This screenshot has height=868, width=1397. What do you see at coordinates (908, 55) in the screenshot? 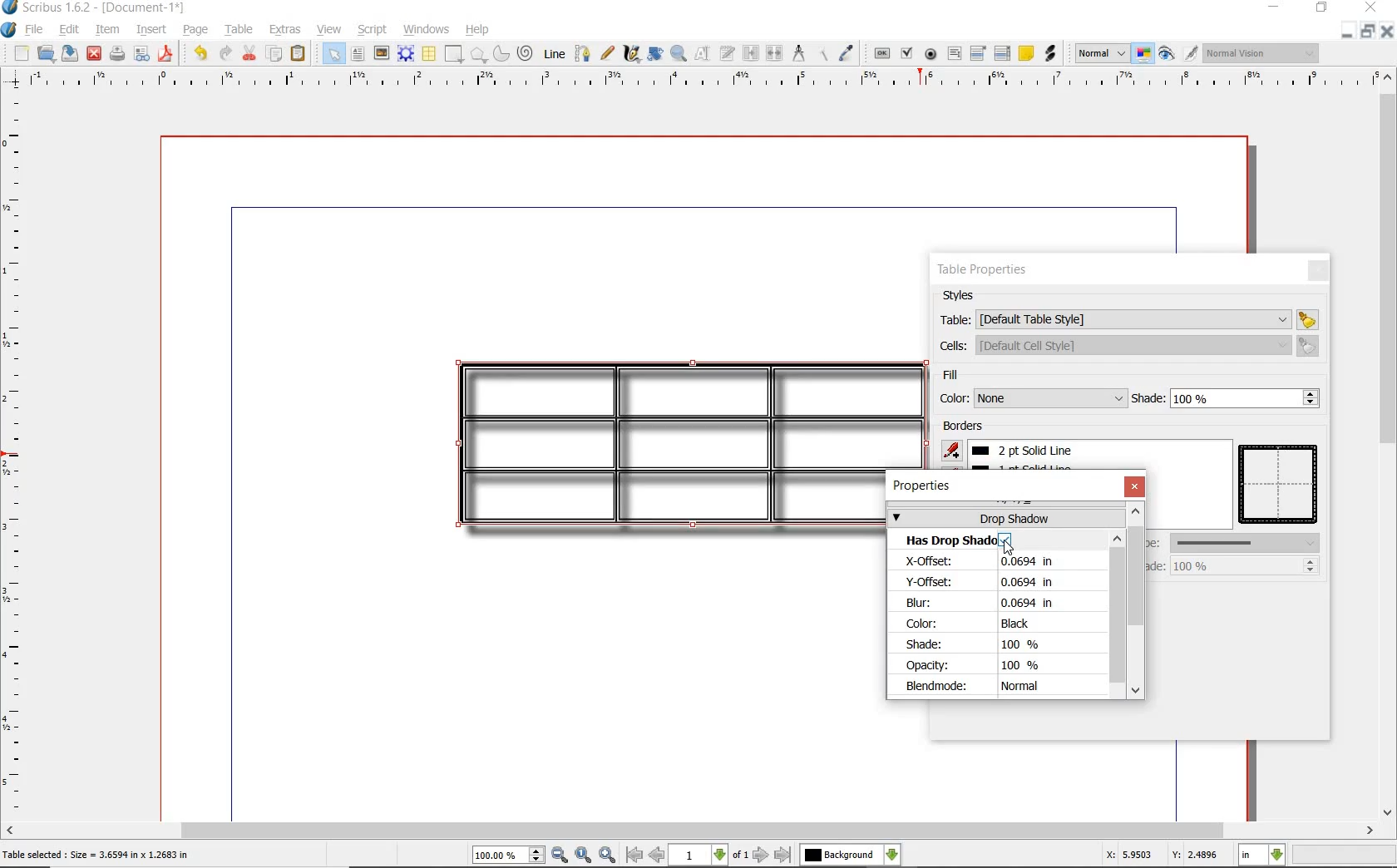
I see `pdf check box` at bounding box center [908, 55].